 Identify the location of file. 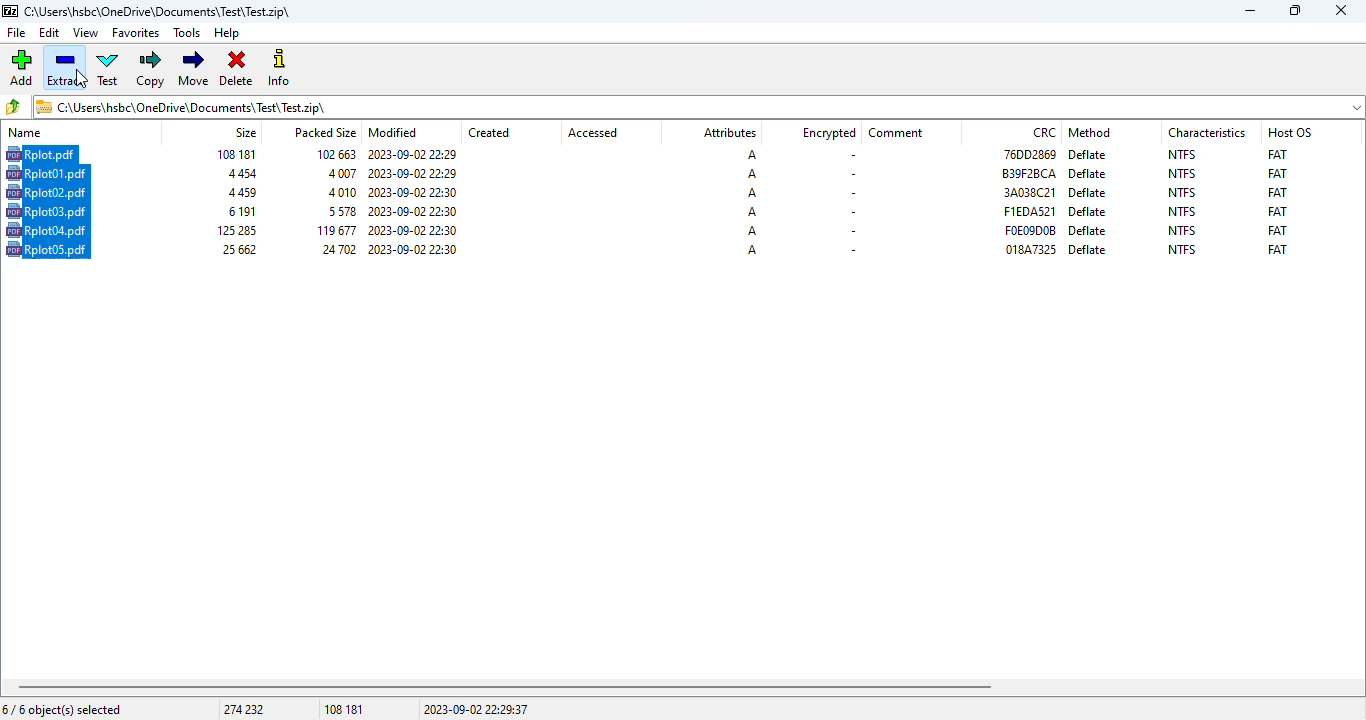
(39, 154).